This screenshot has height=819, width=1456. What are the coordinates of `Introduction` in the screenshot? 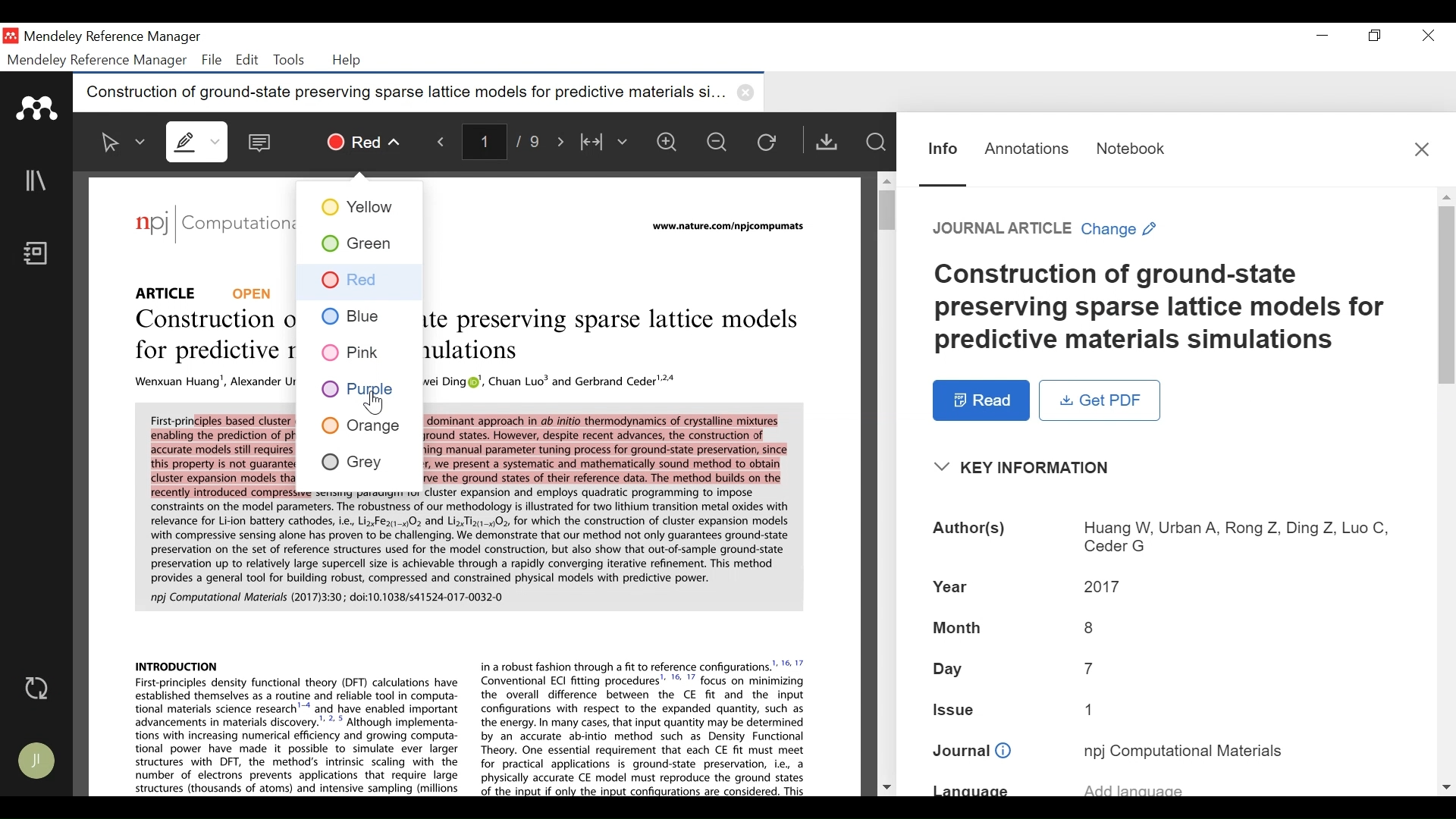 It's located at (467, 725).